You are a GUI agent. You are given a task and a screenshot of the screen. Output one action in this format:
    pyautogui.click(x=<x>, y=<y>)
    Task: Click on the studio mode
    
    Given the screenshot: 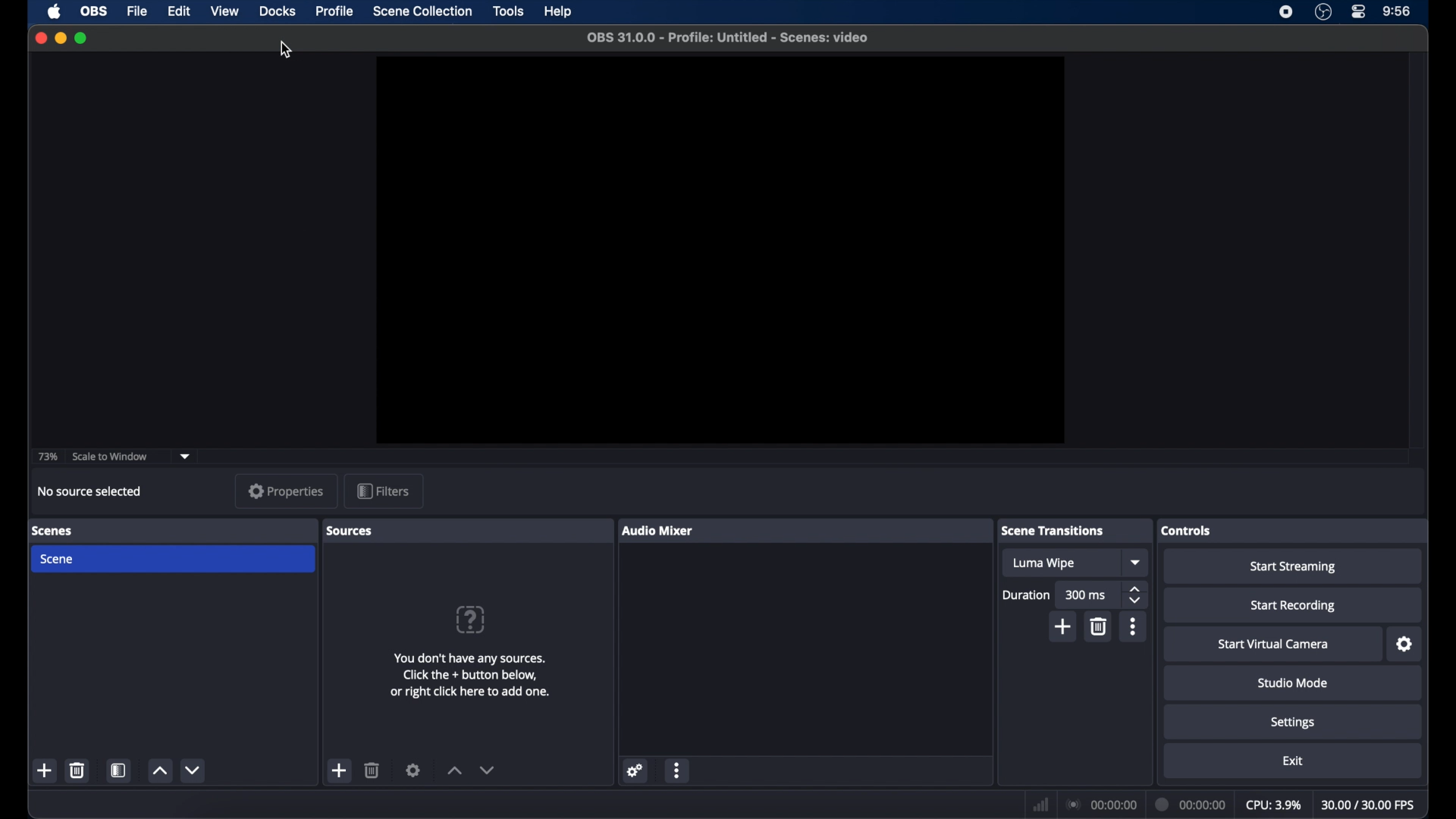 What is the action you would take?
    pyautogui.click(x=1292, y=682)
    